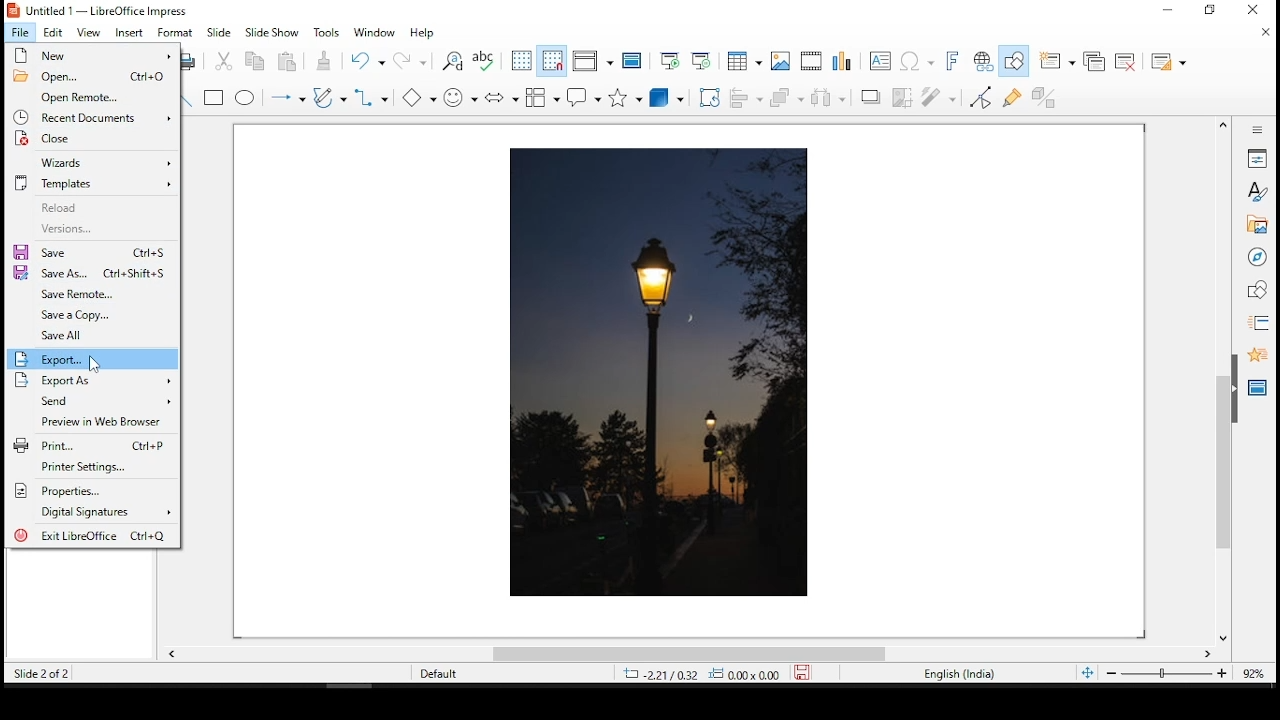  I want to click on save a copy, so click(94, 315).